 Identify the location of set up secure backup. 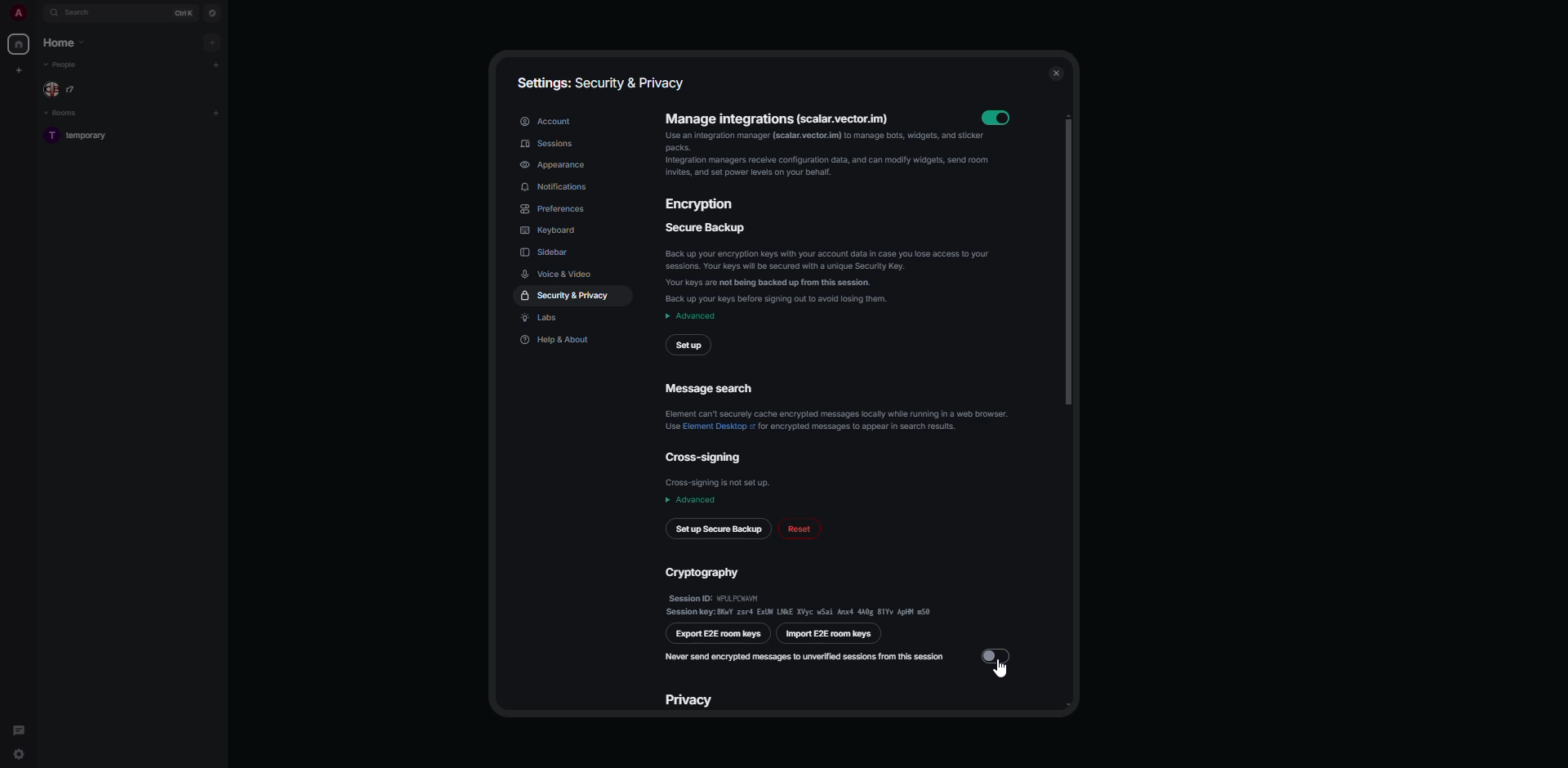
(718, 529).